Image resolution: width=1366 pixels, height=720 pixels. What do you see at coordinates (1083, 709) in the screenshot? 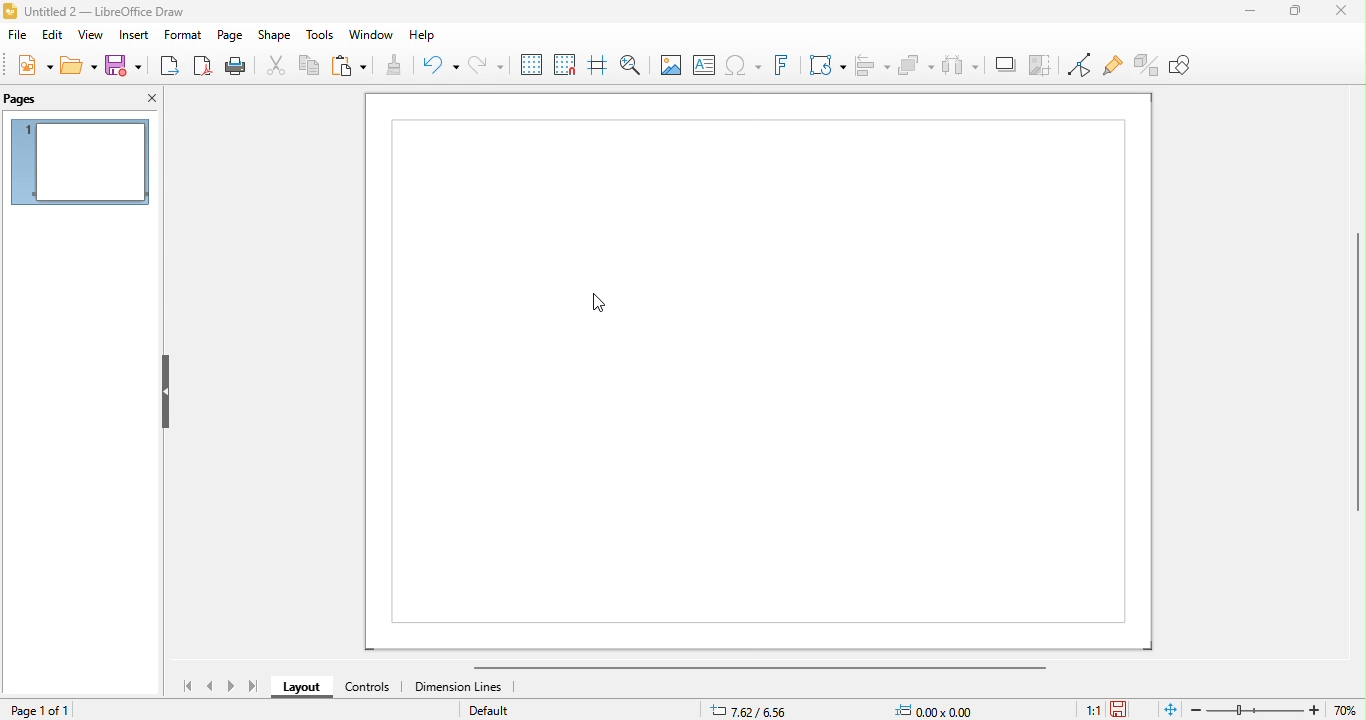
I see `1:1` at bounding box center [1083, 709].